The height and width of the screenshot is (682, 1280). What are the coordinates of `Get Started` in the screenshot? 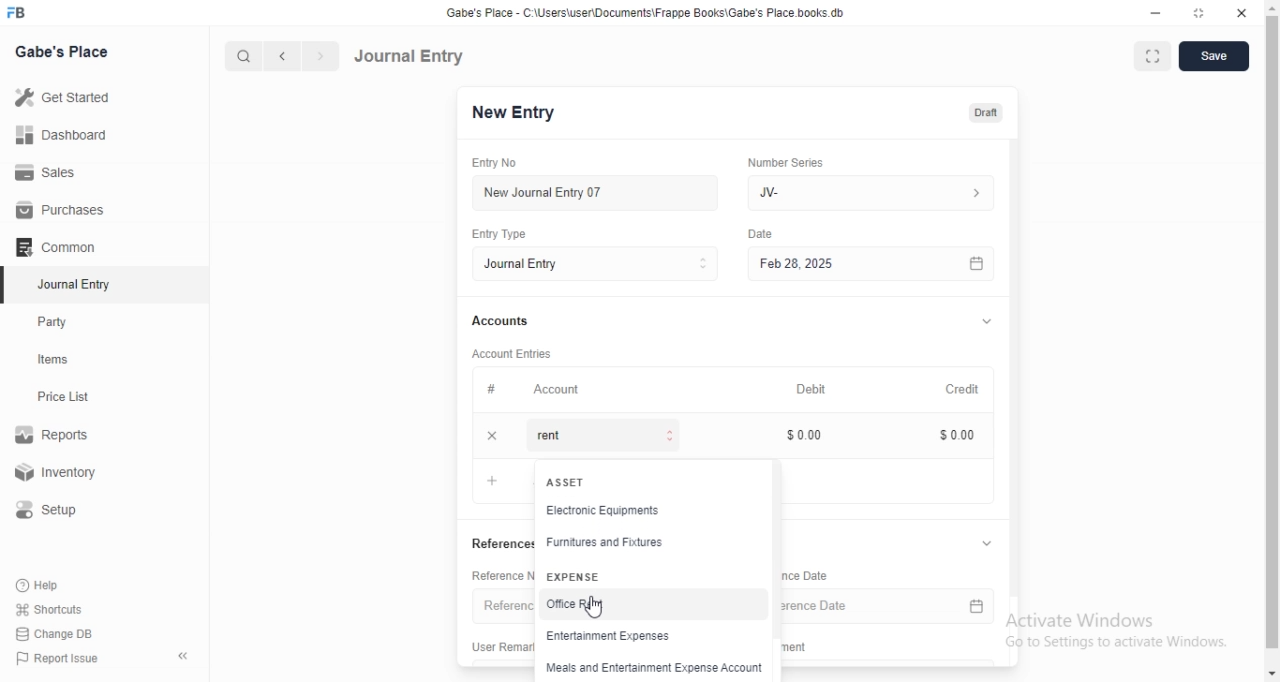 It's located at (61, 99).